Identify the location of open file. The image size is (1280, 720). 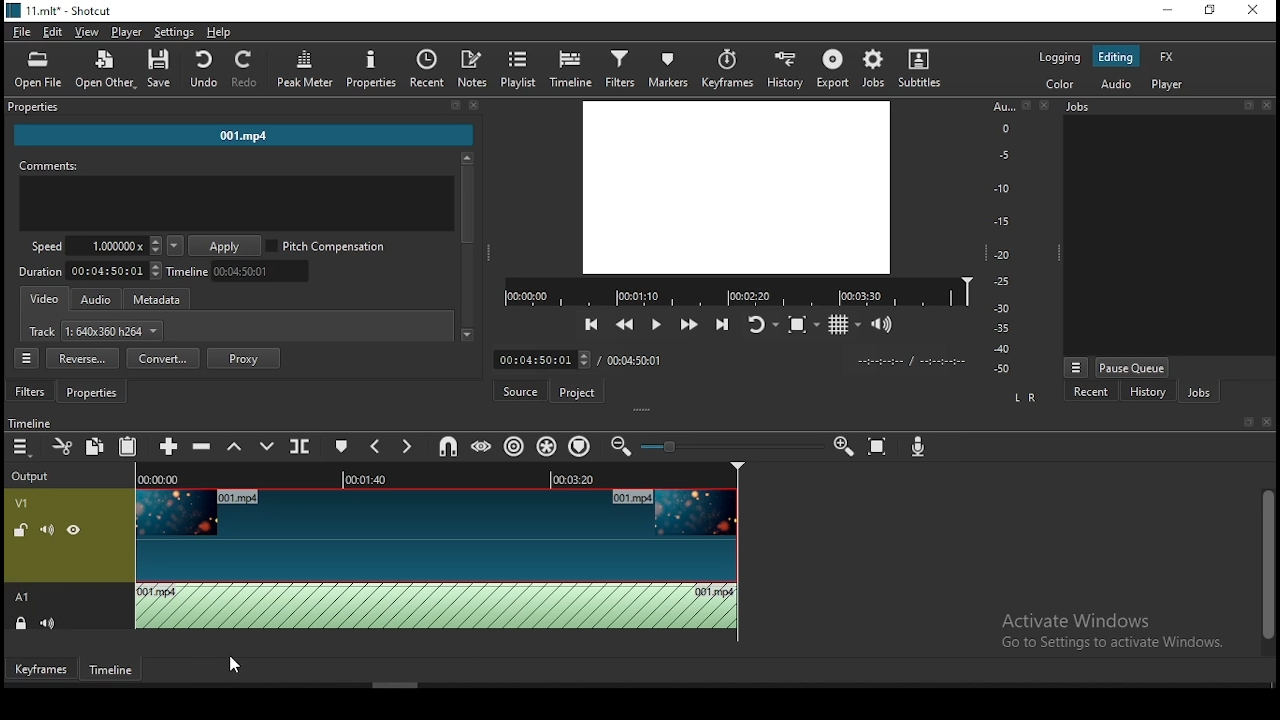
(39, 70).